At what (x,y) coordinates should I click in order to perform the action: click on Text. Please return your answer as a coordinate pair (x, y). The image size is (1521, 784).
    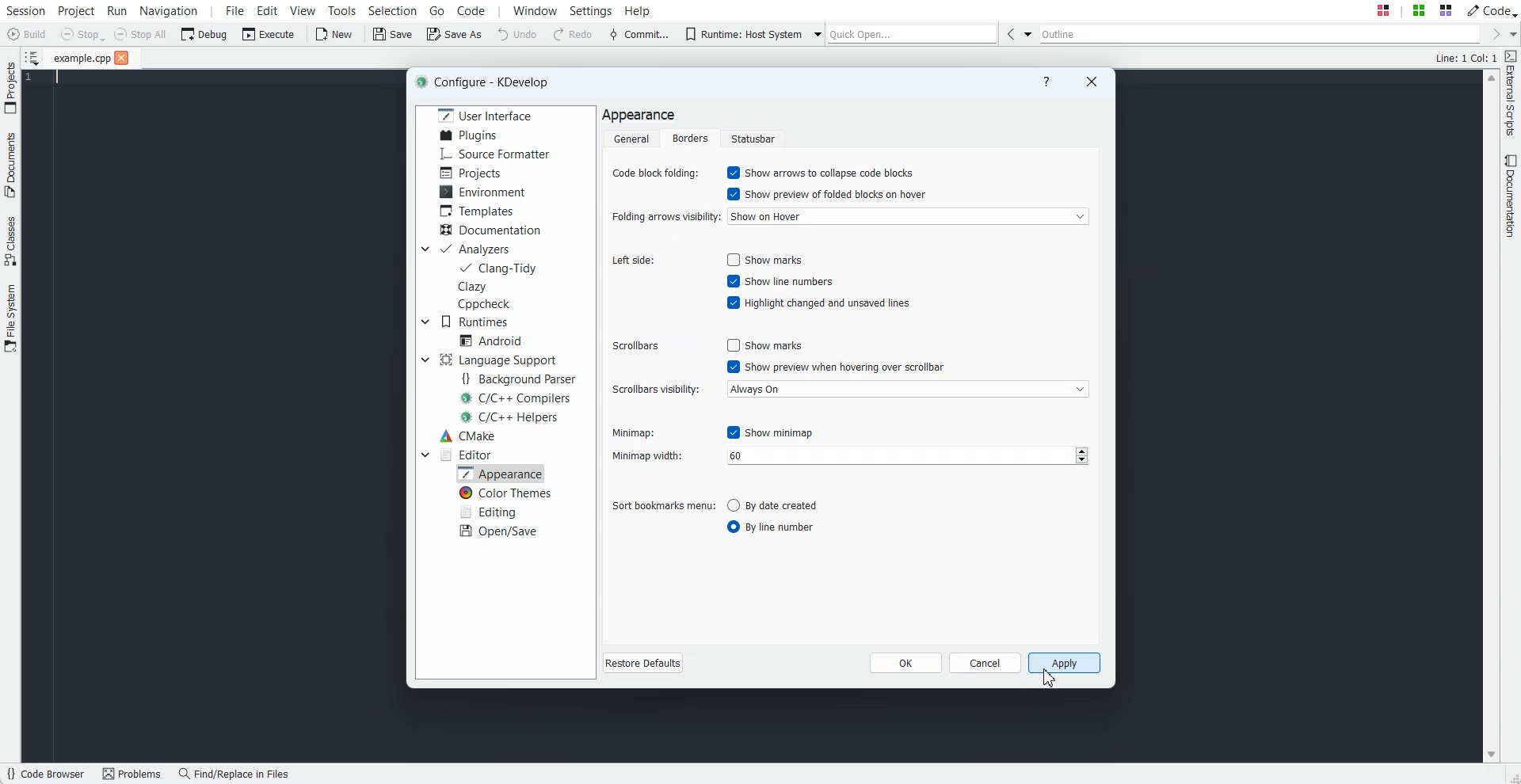
    Looking at the image, I should click on (483, 81).